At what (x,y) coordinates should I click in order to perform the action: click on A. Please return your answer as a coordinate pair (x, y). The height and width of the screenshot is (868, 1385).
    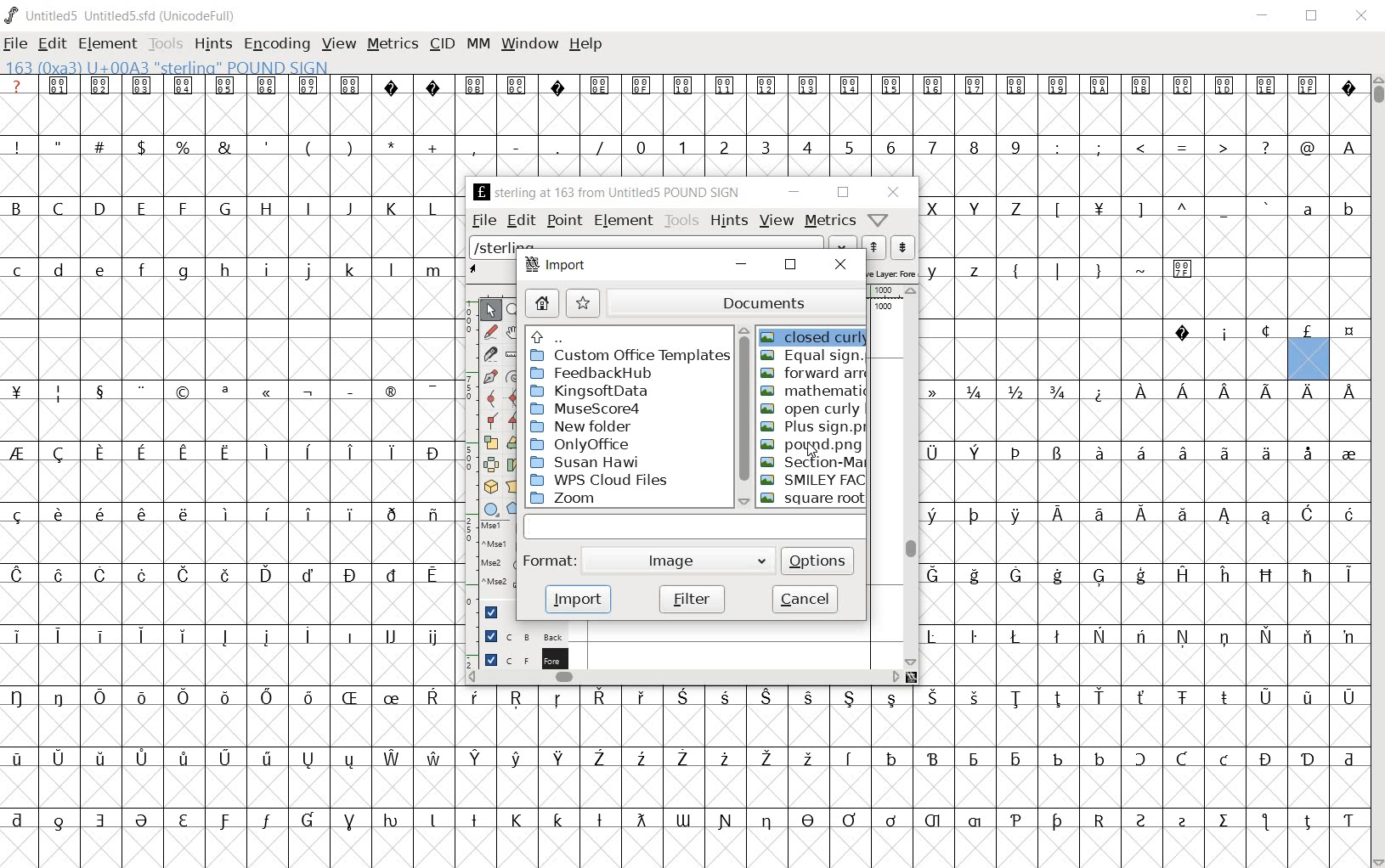
    Looking at the image, I should click on (1347, 146).